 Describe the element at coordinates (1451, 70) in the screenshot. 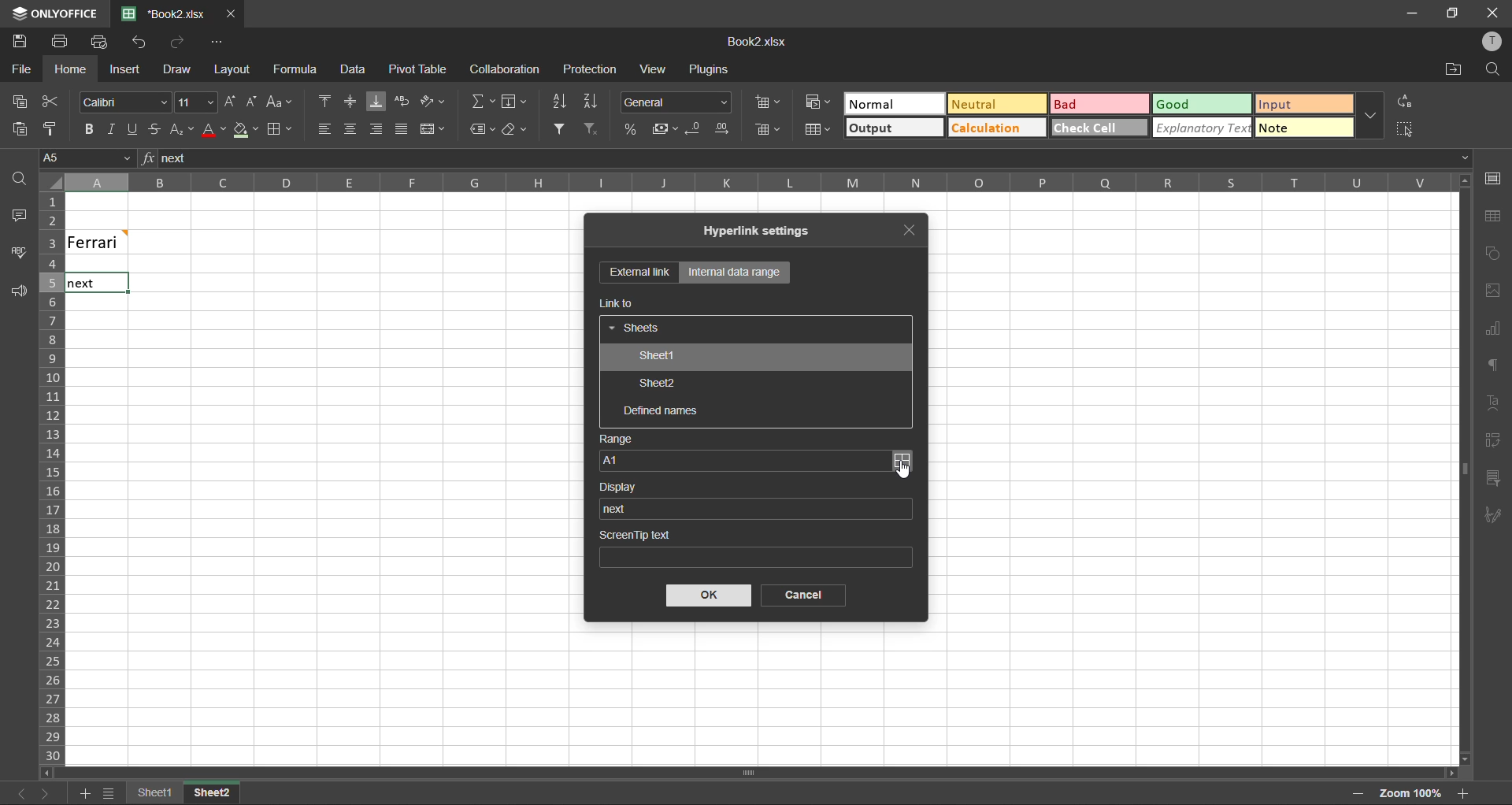

I see `open location` at that location.